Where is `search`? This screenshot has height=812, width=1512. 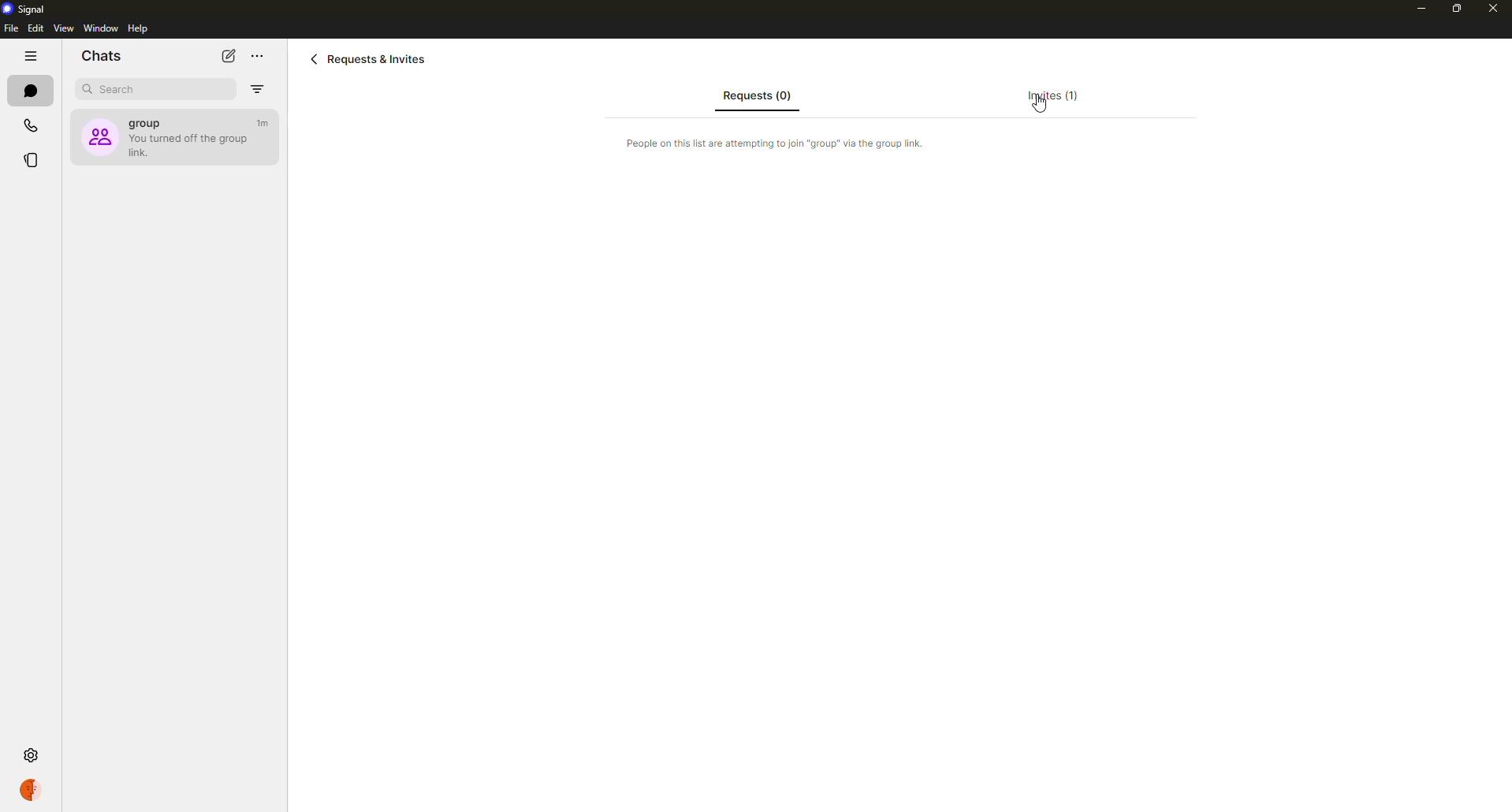 search is located at coordinates (121, 89).